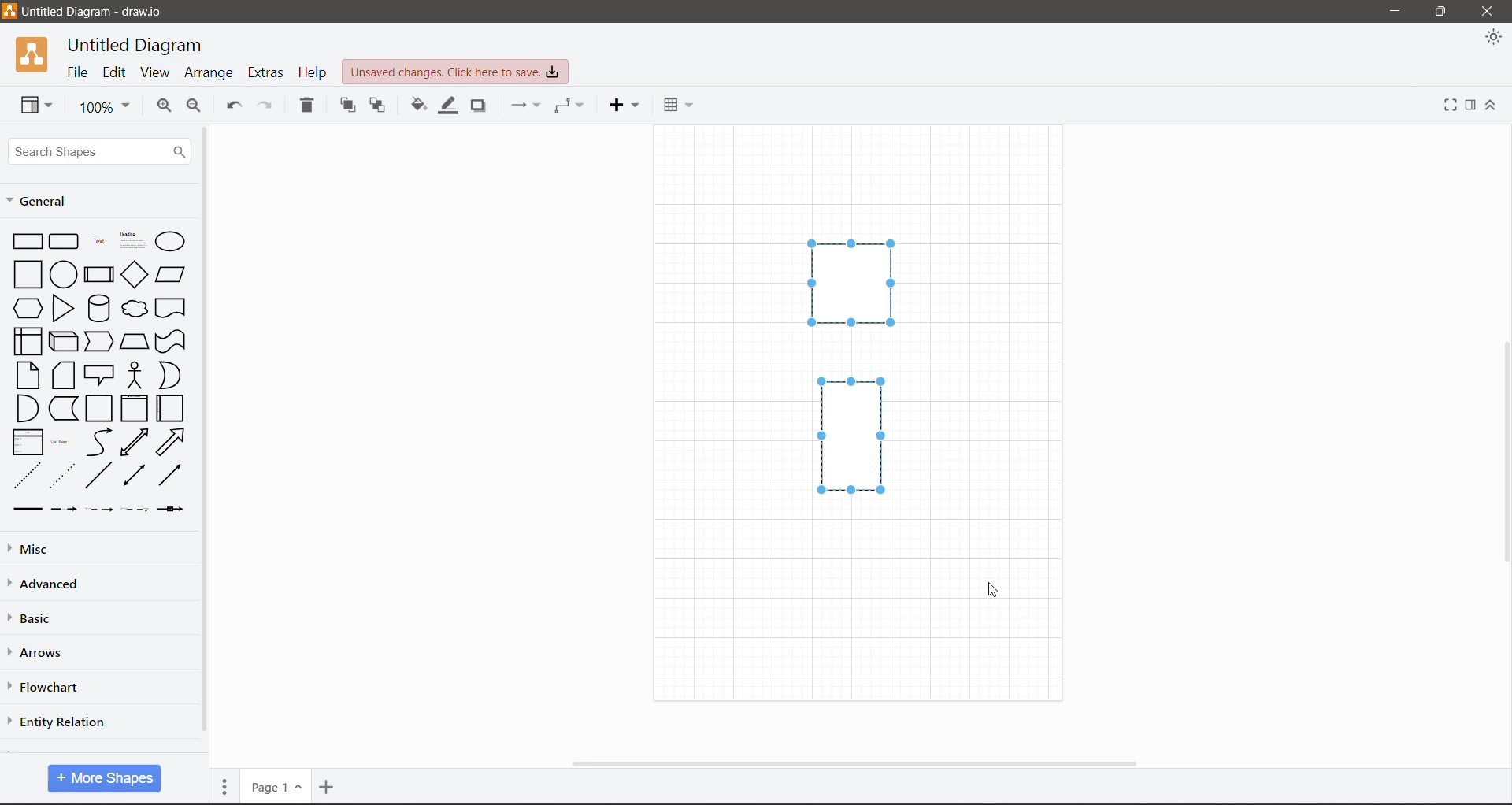 This screenshot has height=805, width=1512. I want to click on Zoom, so click(102, 106).